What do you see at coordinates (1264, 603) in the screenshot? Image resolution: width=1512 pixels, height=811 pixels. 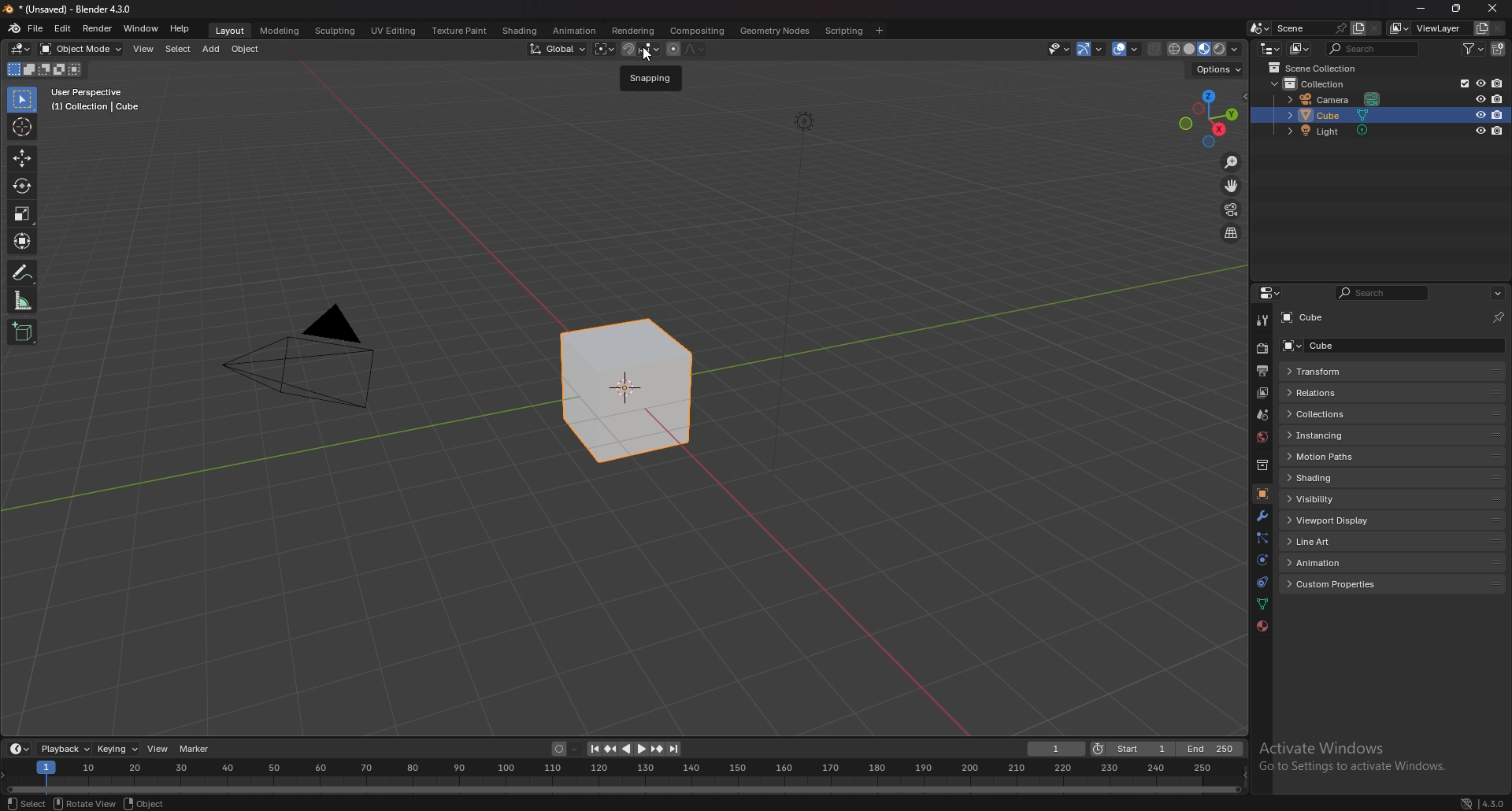 I see `data` at bounding box center [1264, 603].